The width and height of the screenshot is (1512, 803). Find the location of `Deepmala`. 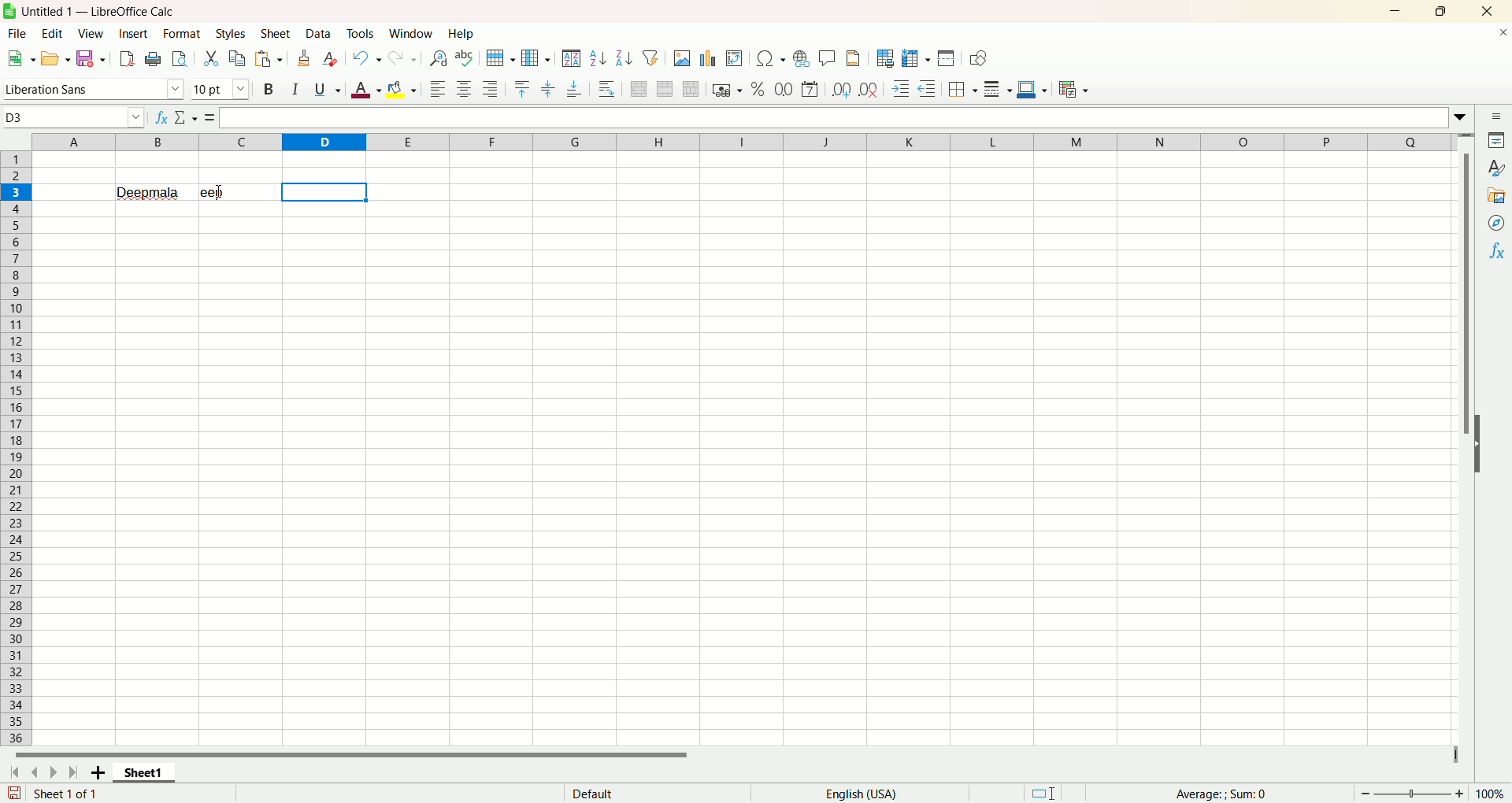

Deepmala is located at coordinates (150, 191).